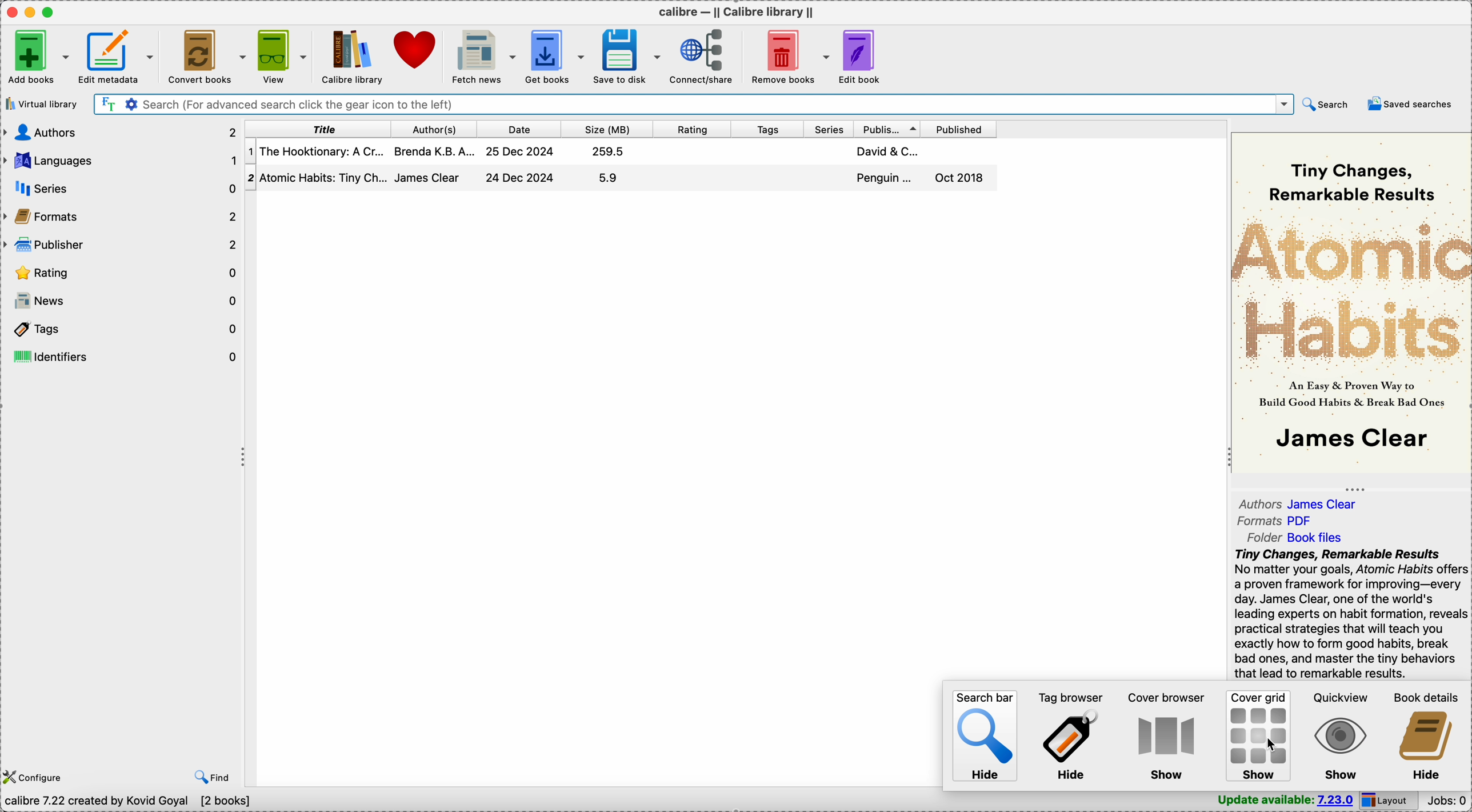 Image resolution: width=1472 pixels, height=812 pixels. I want to click on search the text of all books in the library, so click(107, 104).